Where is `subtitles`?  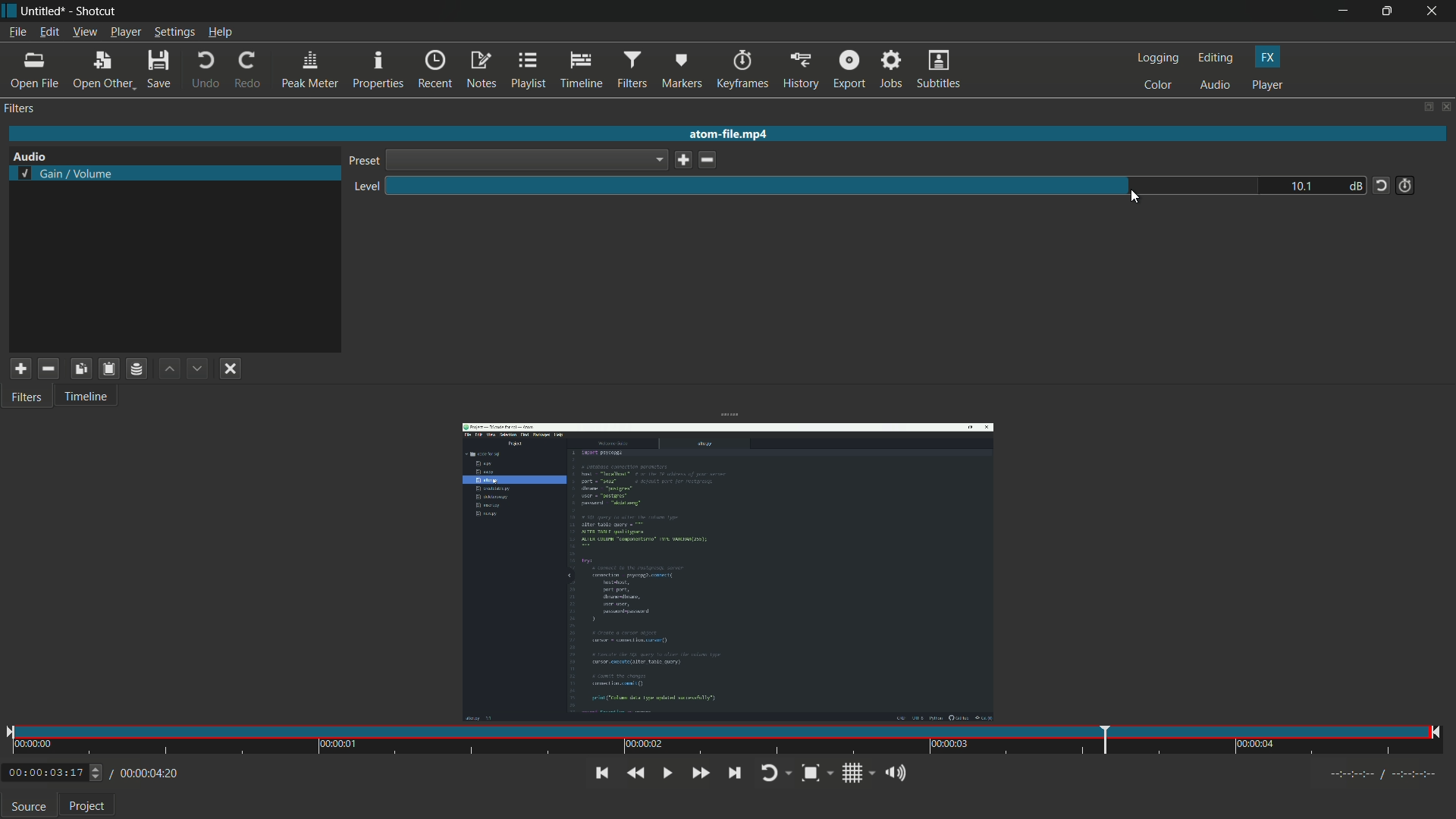
subtitles is located at coordinates (941, 71).